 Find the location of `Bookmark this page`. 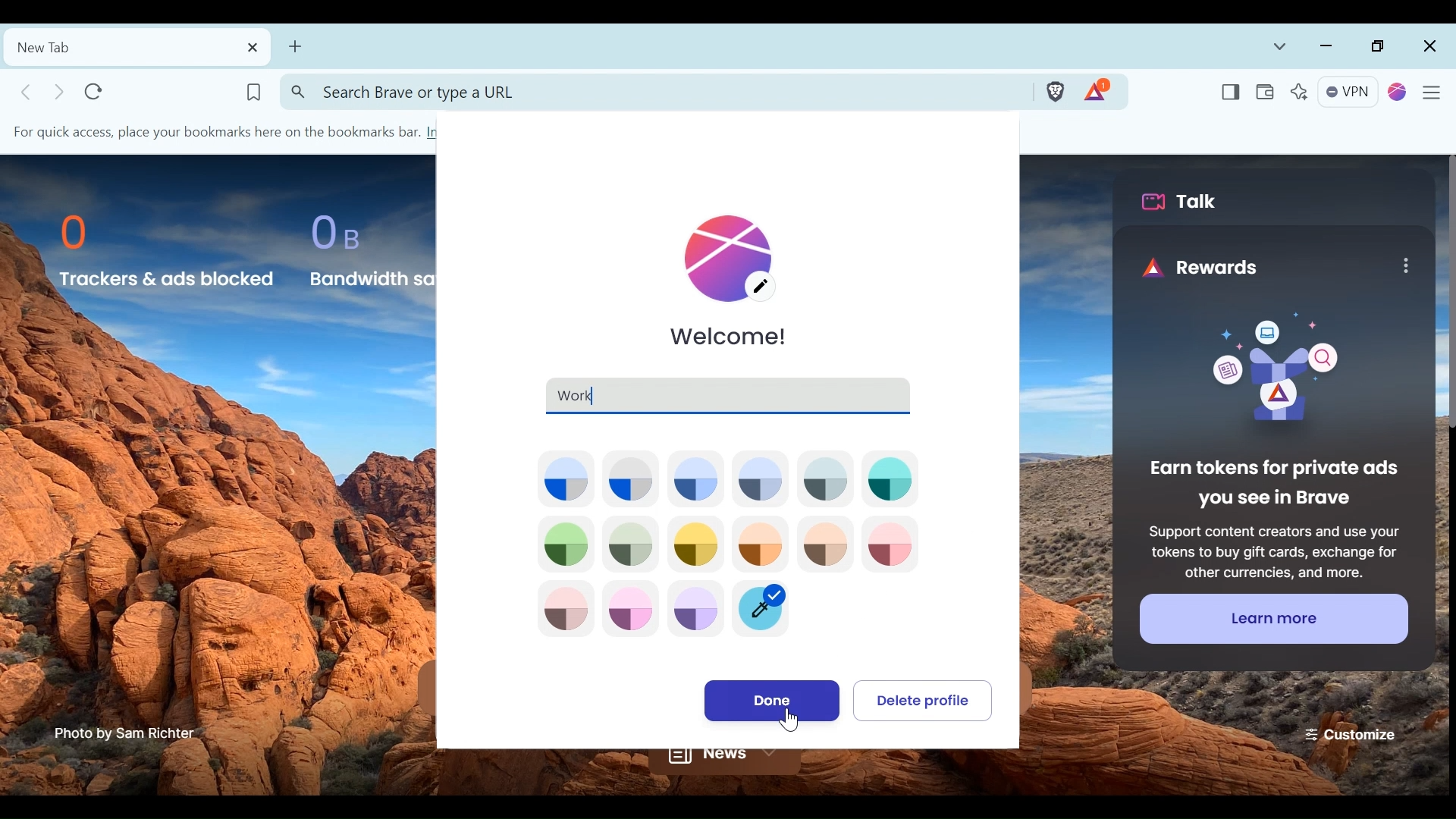

Bookmark this page is located at coordinates (253, 90).